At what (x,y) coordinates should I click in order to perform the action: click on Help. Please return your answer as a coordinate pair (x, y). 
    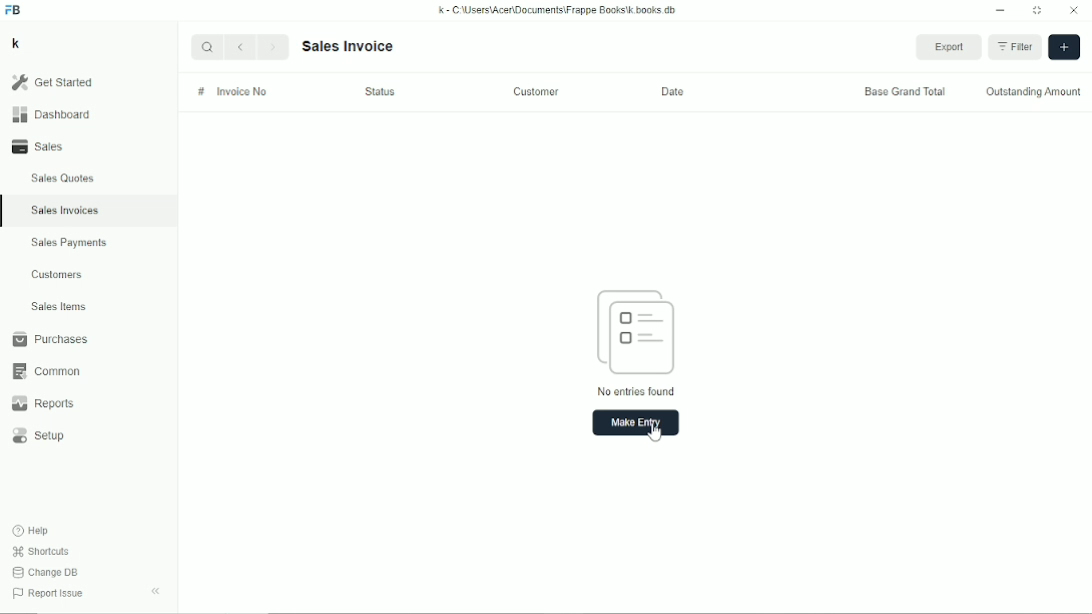
    Looking at the image, I should click on (32, 530).